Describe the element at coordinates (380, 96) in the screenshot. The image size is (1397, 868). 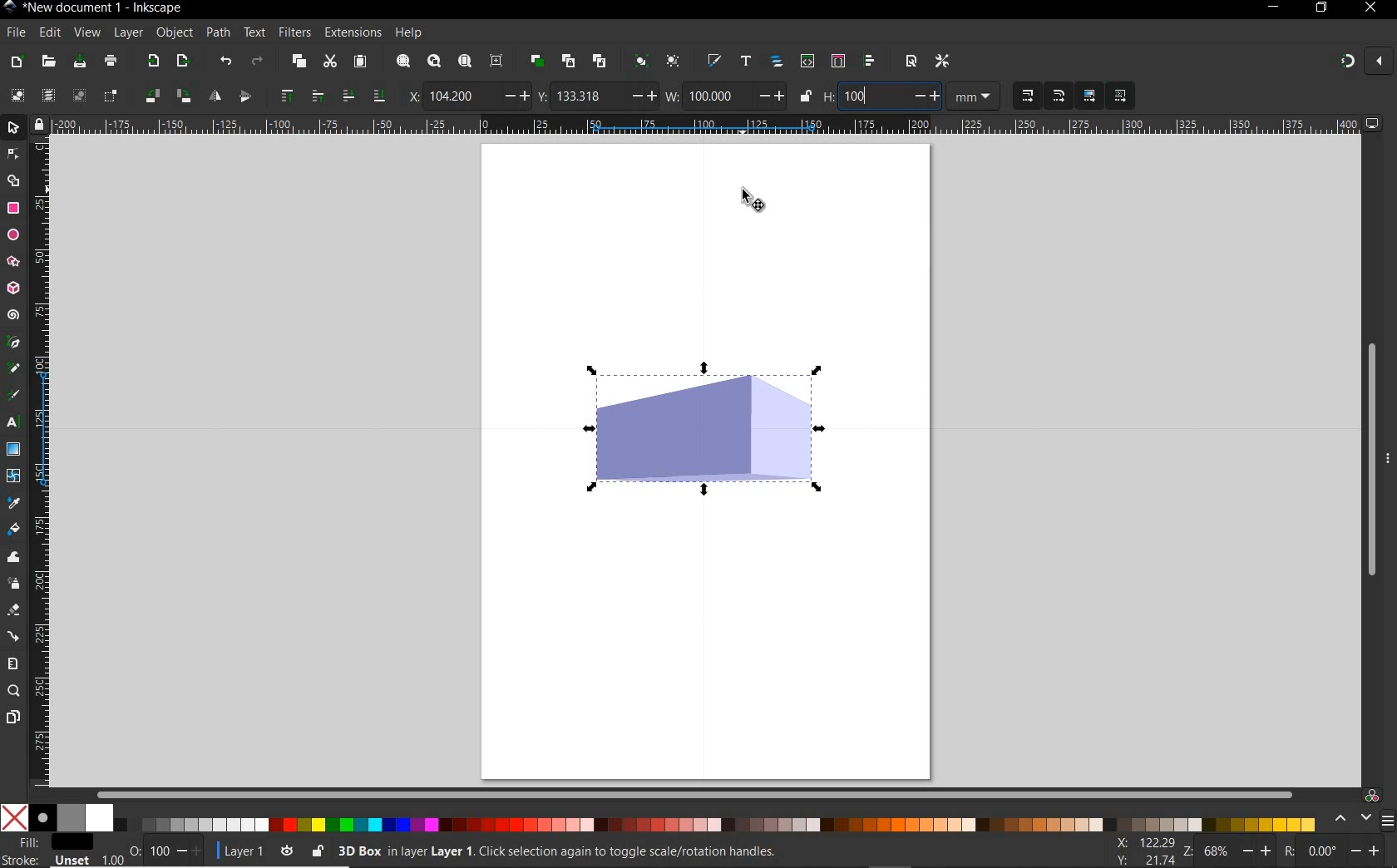
I see `lower selection` at that location.